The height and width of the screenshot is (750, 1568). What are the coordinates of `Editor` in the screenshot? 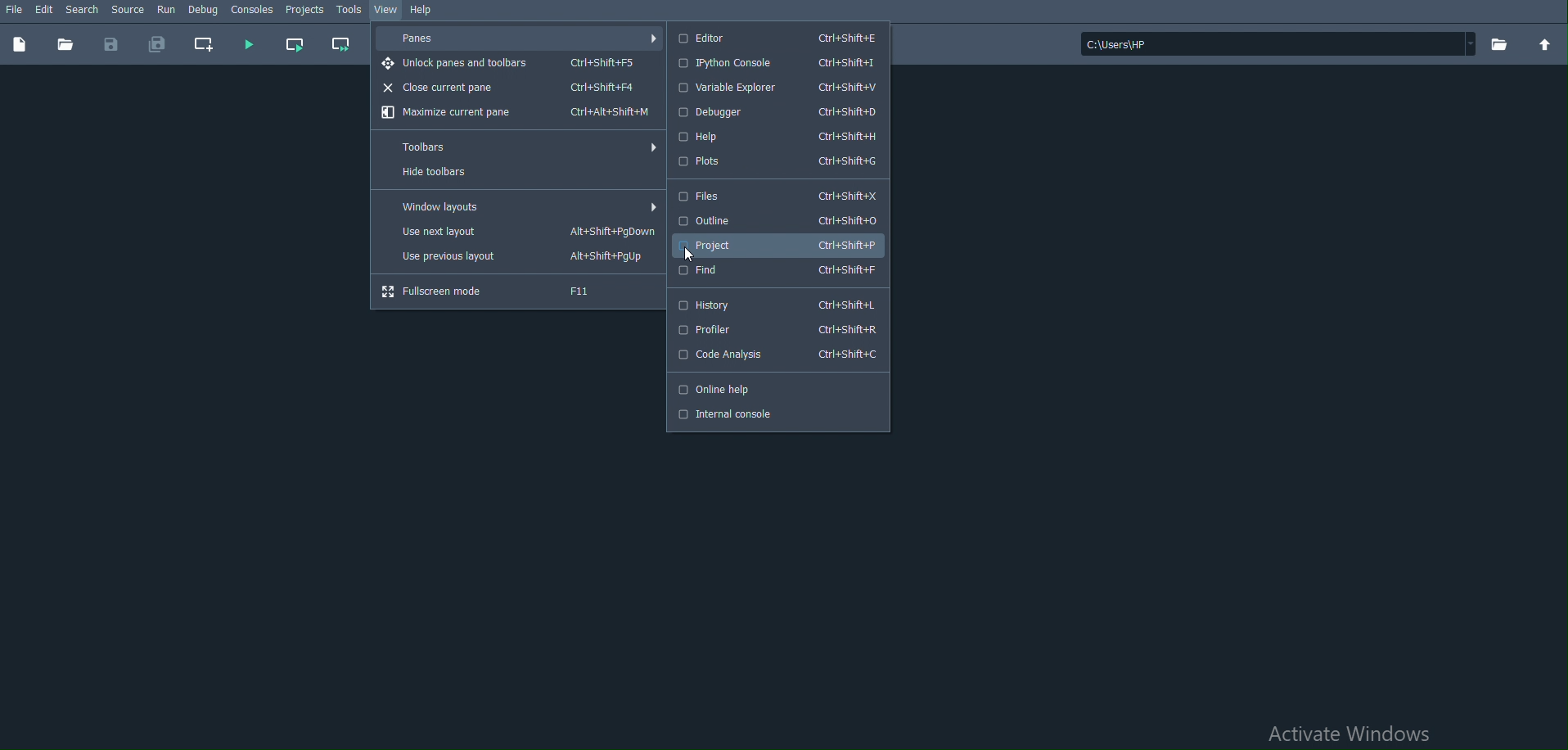 It's located at (776, 38).